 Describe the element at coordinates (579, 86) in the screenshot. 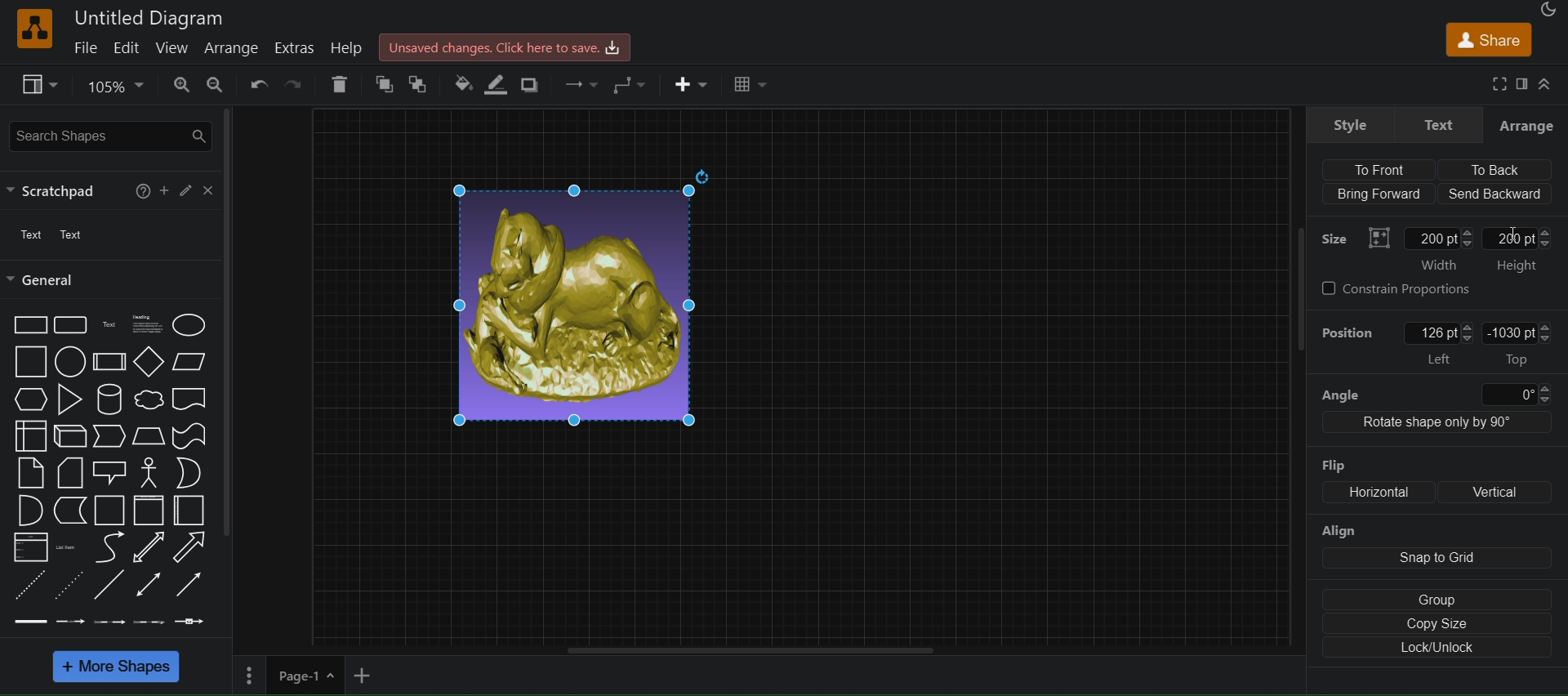

I see `waypoints` at that location.